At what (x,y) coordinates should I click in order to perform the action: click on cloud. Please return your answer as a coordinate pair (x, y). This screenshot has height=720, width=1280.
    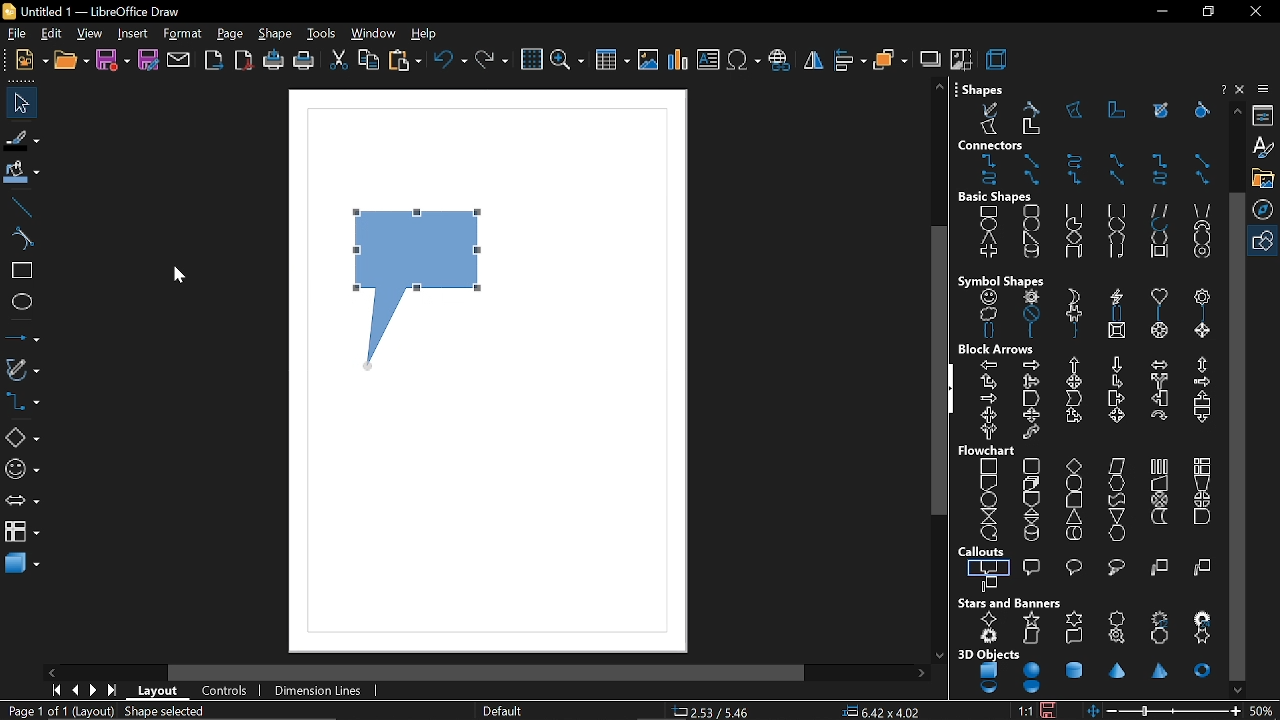
    Looking at the image, I should click on (1114, 568).